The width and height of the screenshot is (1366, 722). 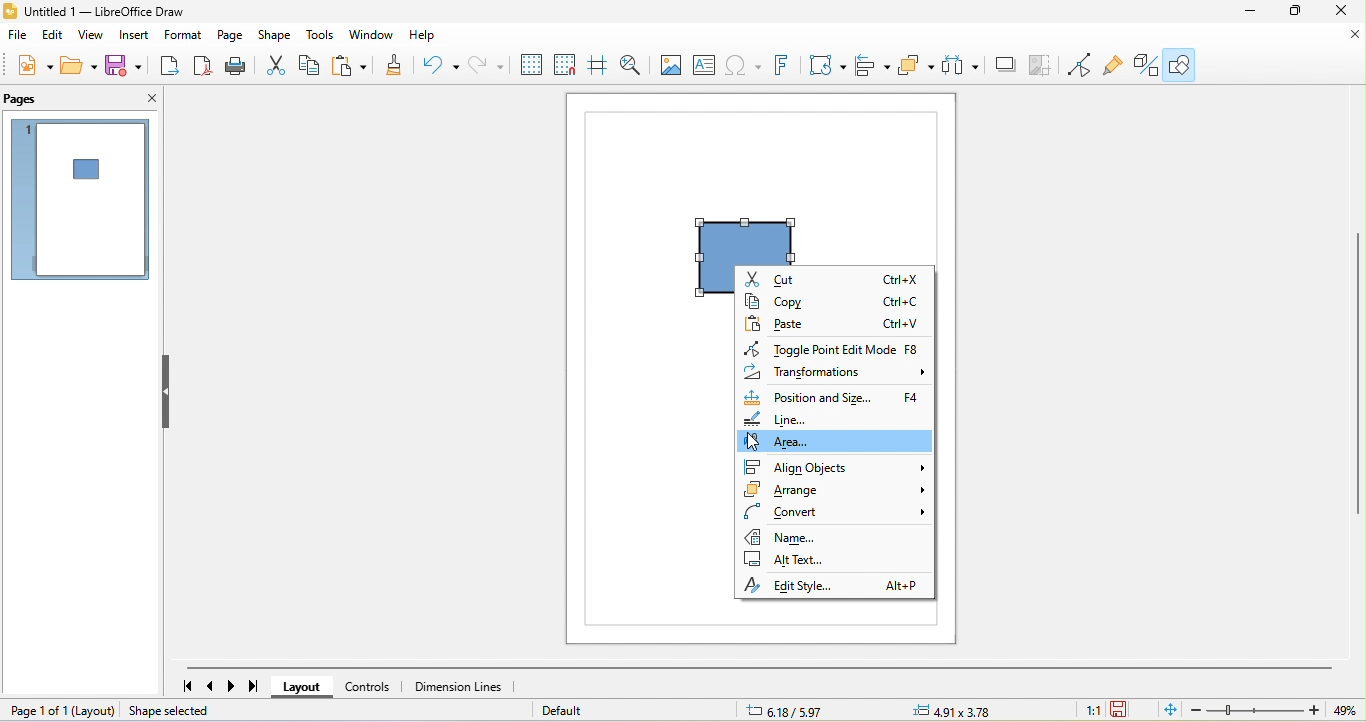 What do you see at coordinates (529, 65) in the screenshot?
I see `display grid` at bounding box center [529, 65].